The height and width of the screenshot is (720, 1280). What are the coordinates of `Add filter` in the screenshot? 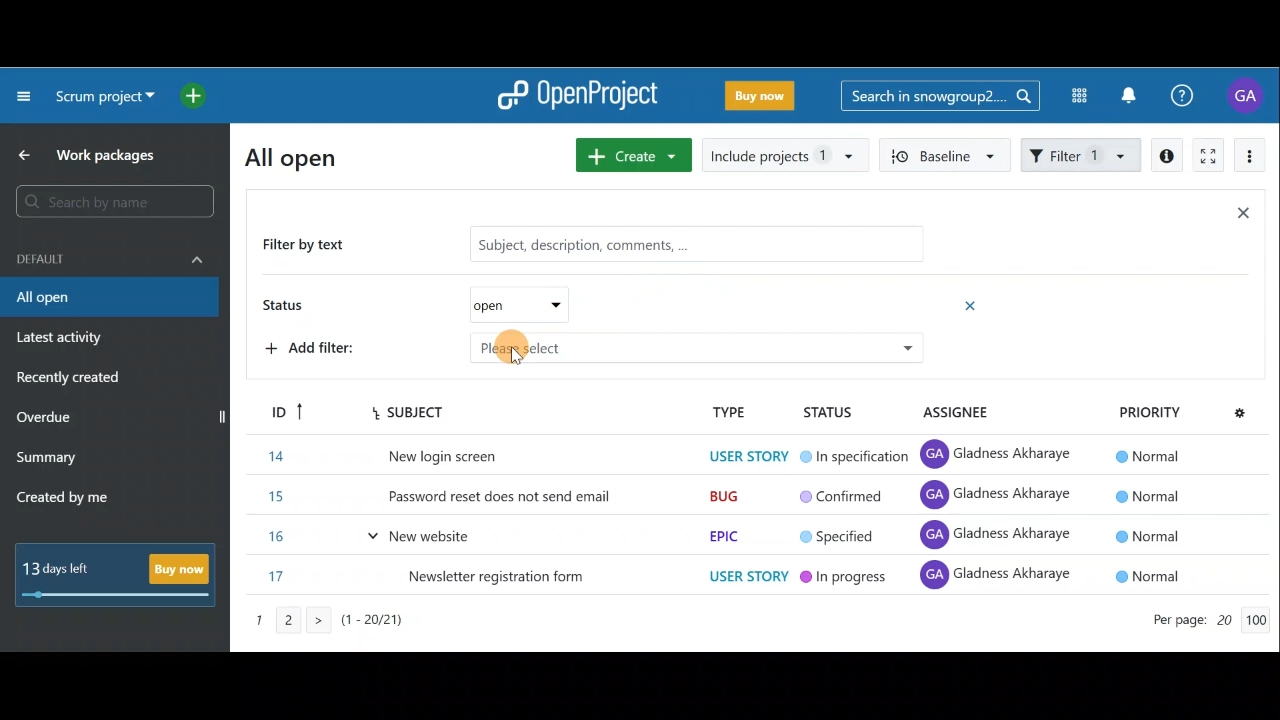 It's located at (614, 350).